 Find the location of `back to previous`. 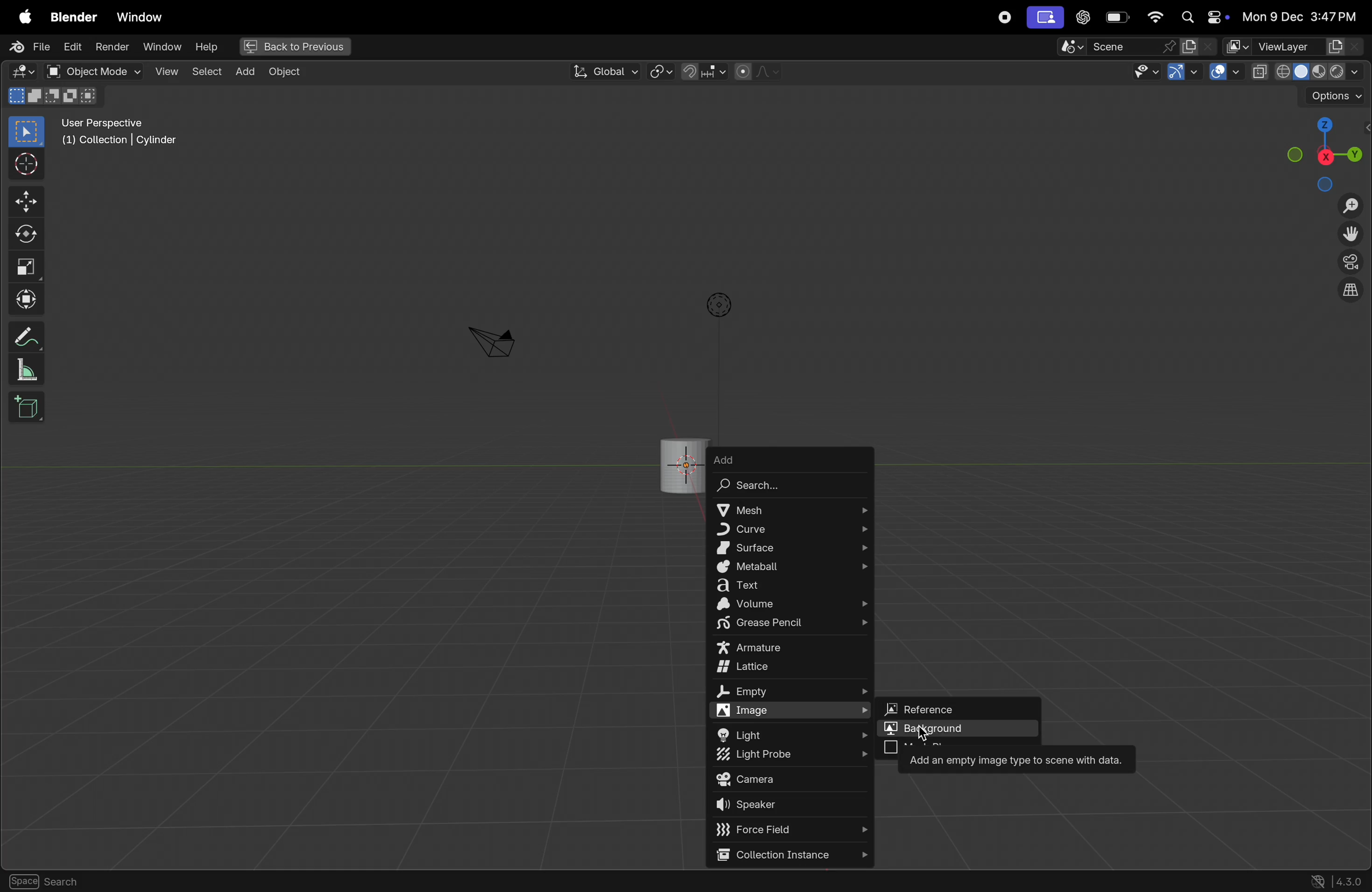

back to previous is located at coordinates (293, 44).